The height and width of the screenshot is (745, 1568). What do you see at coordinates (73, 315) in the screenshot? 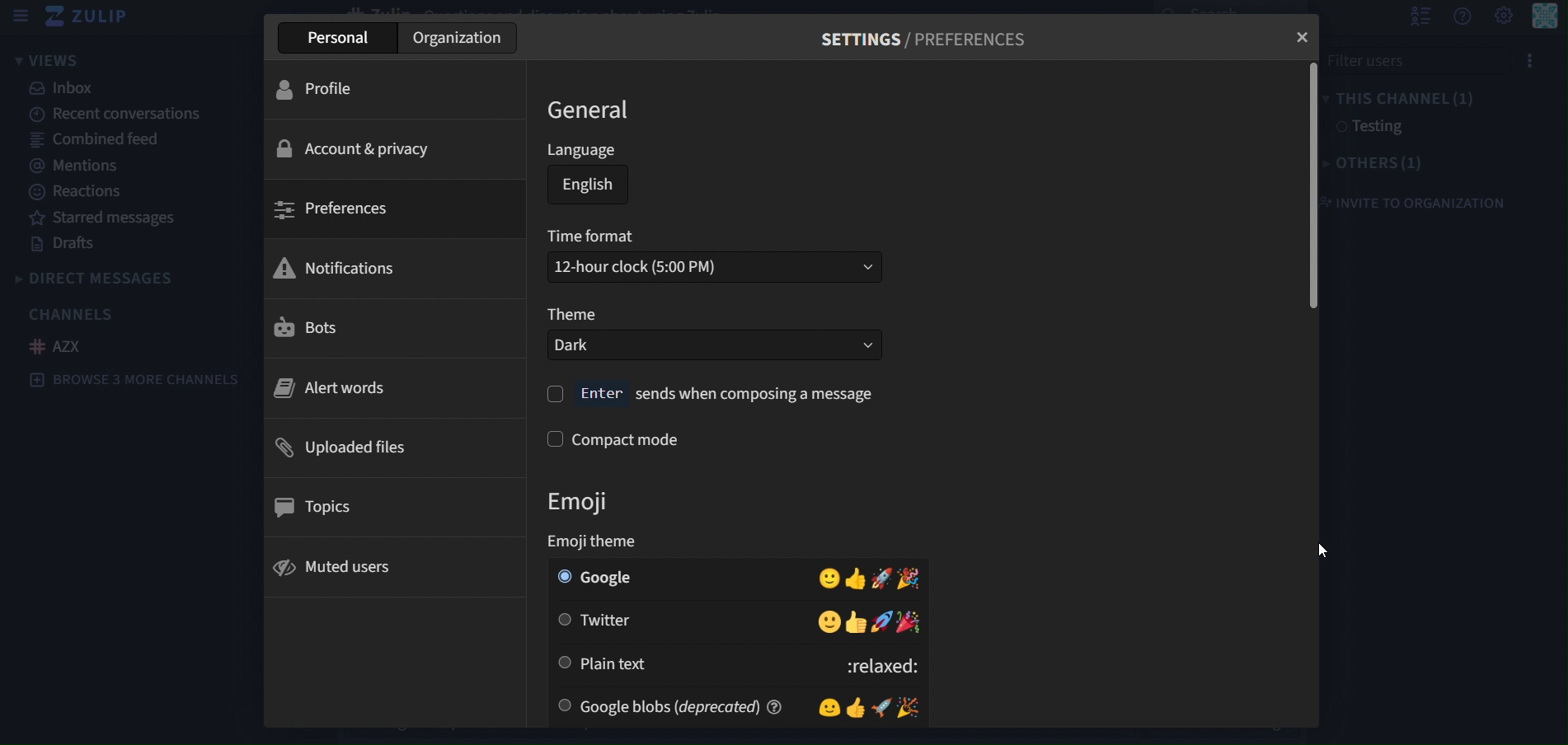
I see `channels` at bounding box center [73, 315].